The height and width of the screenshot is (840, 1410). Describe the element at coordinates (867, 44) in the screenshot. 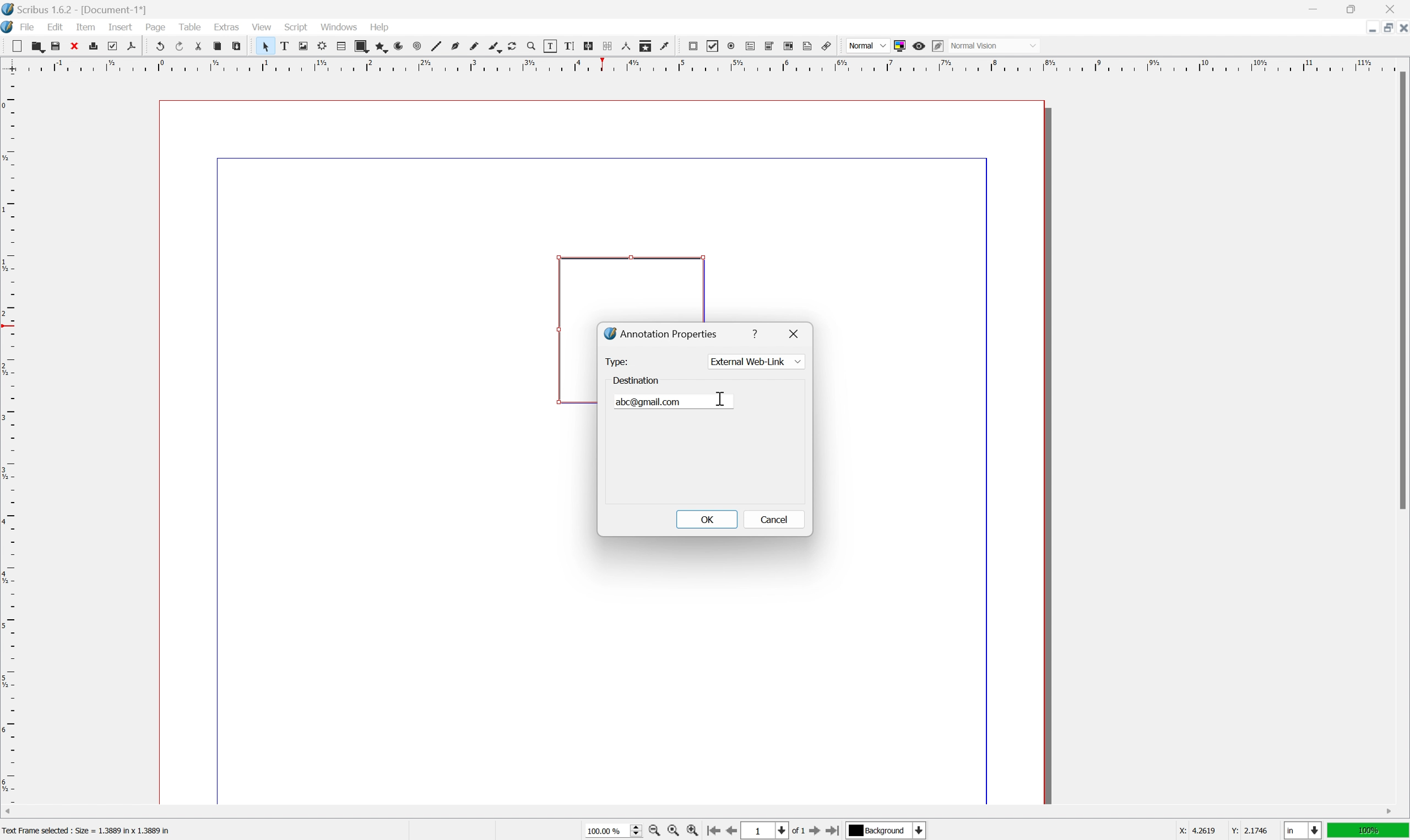

I see `normal` at that location.